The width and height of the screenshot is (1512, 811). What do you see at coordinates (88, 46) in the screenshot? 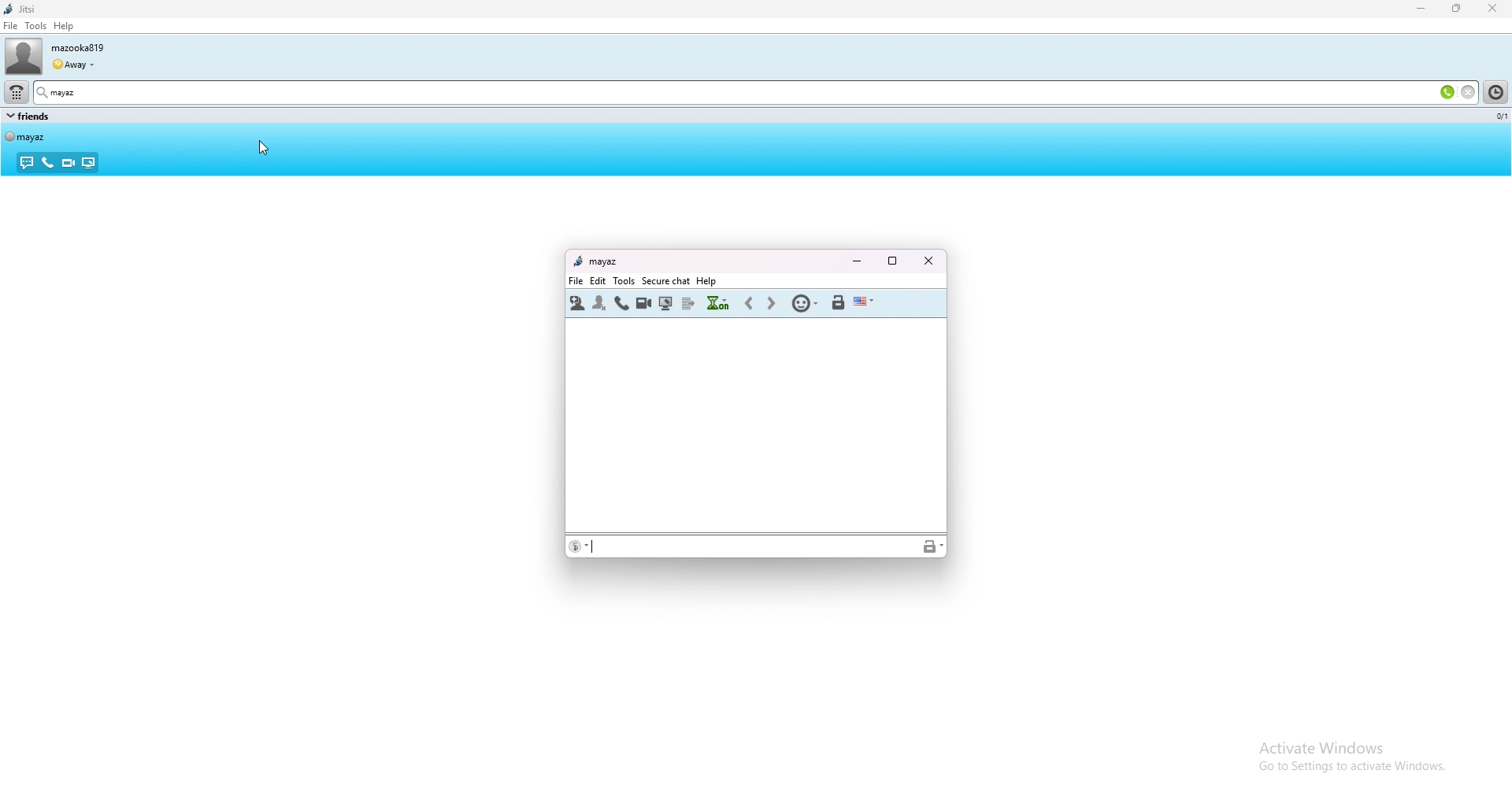
I see `mazooka819` at bounding box center [88, 46].